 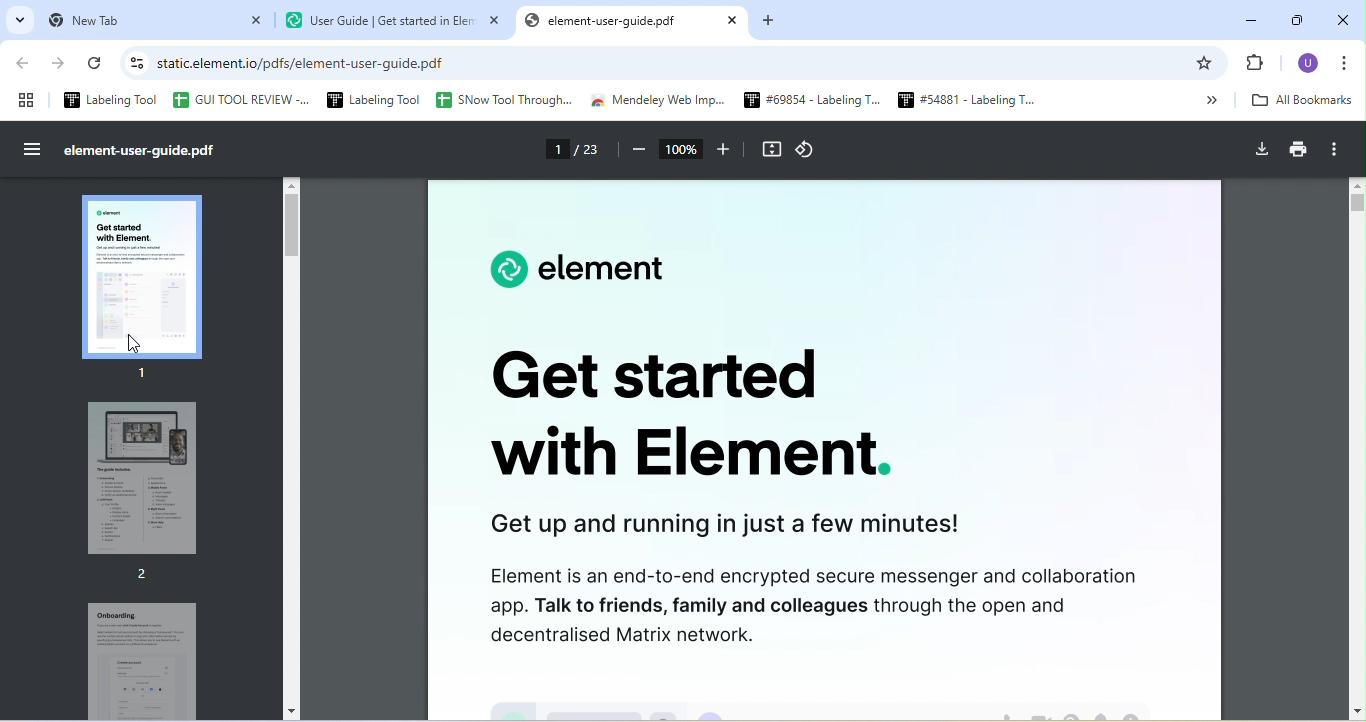 What do you see at coordinates (295, 226) in the screenshot?
I see `vertical scroll bar` at bounding box center [295, 226].